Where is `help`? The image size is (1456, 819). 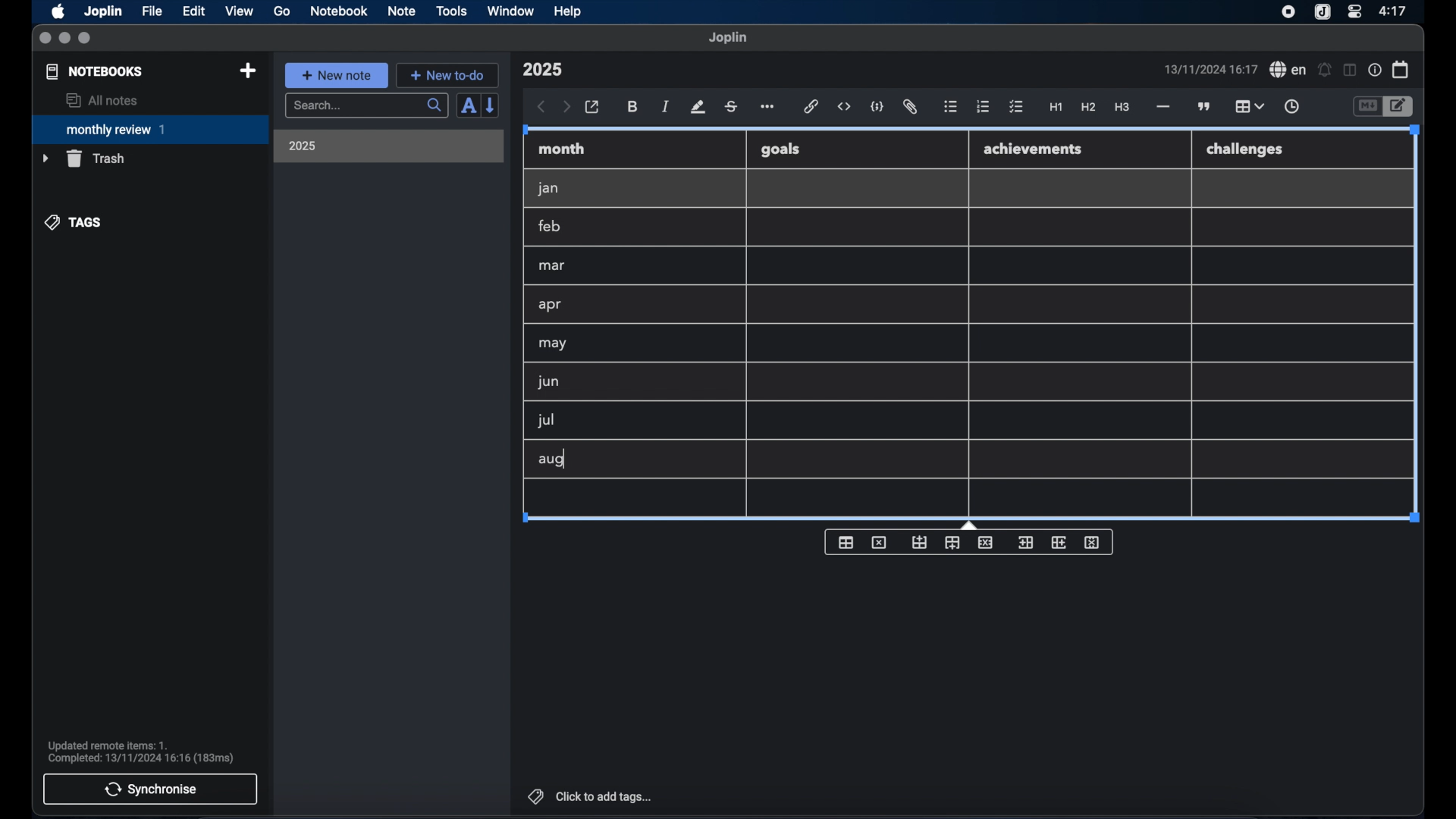 help is located at coordinates (569, 11).